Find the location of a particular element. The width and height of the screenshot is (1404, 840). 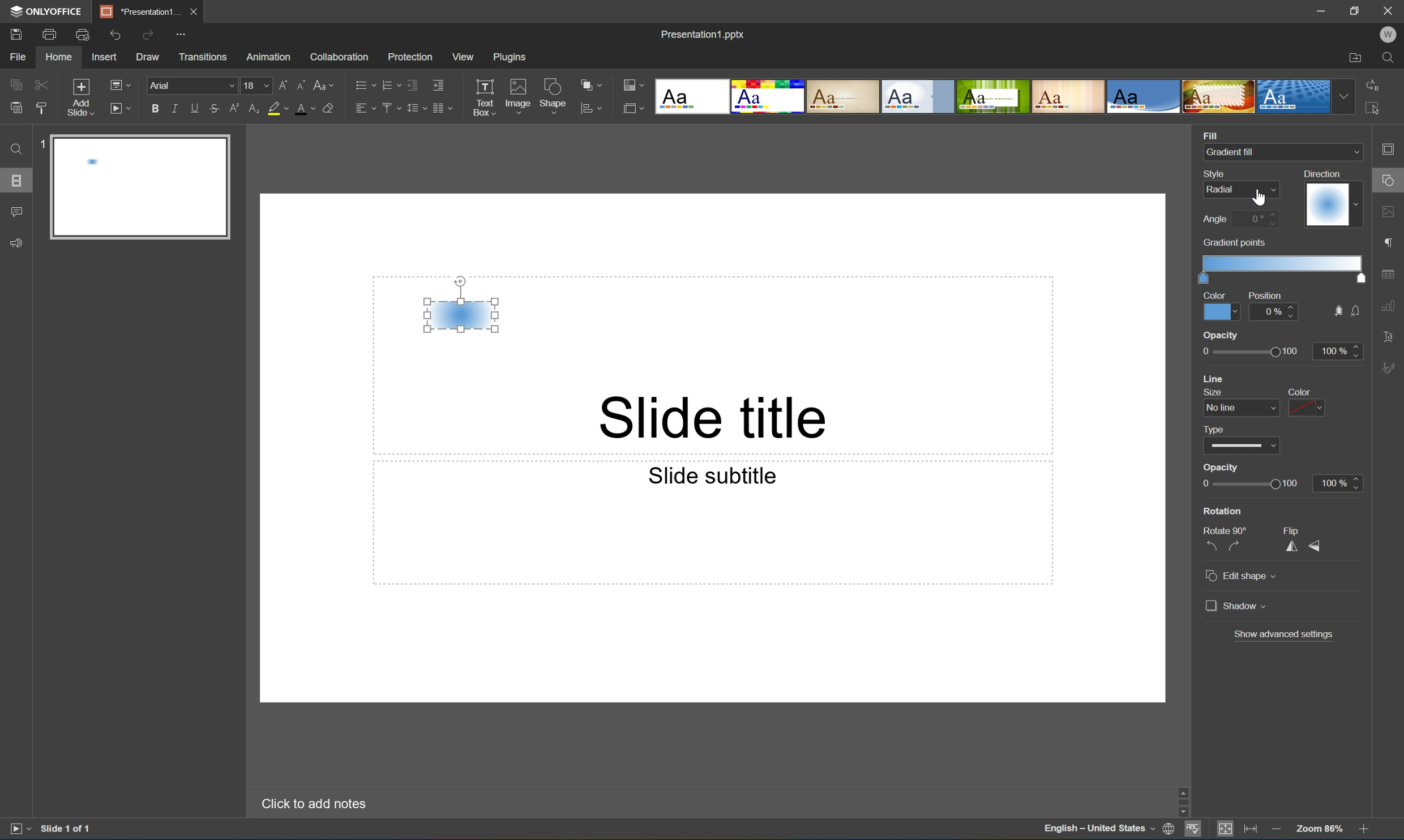

Insert is located at coordinates (104, 57).